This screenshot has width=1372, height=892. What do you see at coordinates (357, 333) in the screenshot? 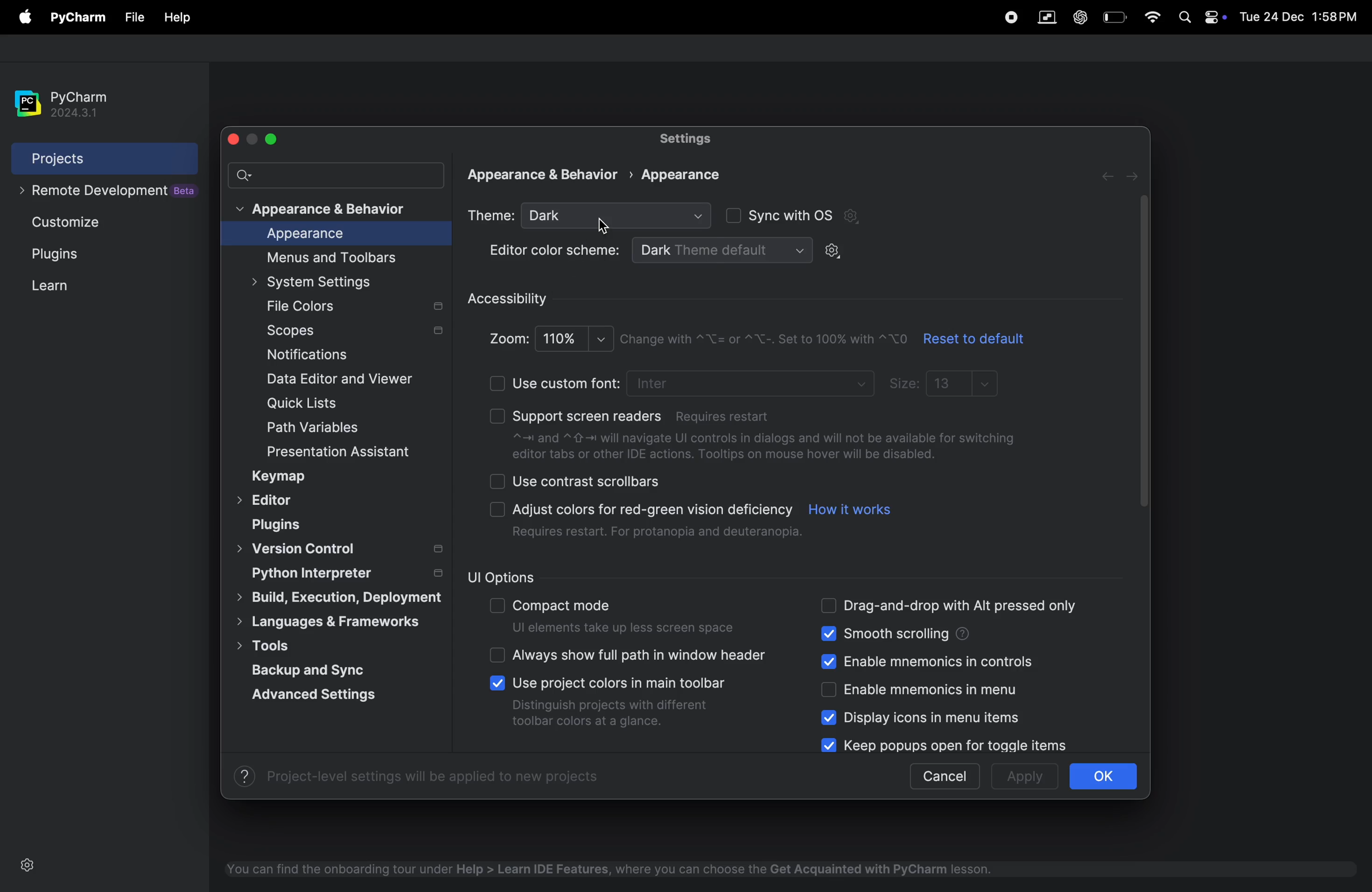
I see `scopes` at bounding box center [357, 333].